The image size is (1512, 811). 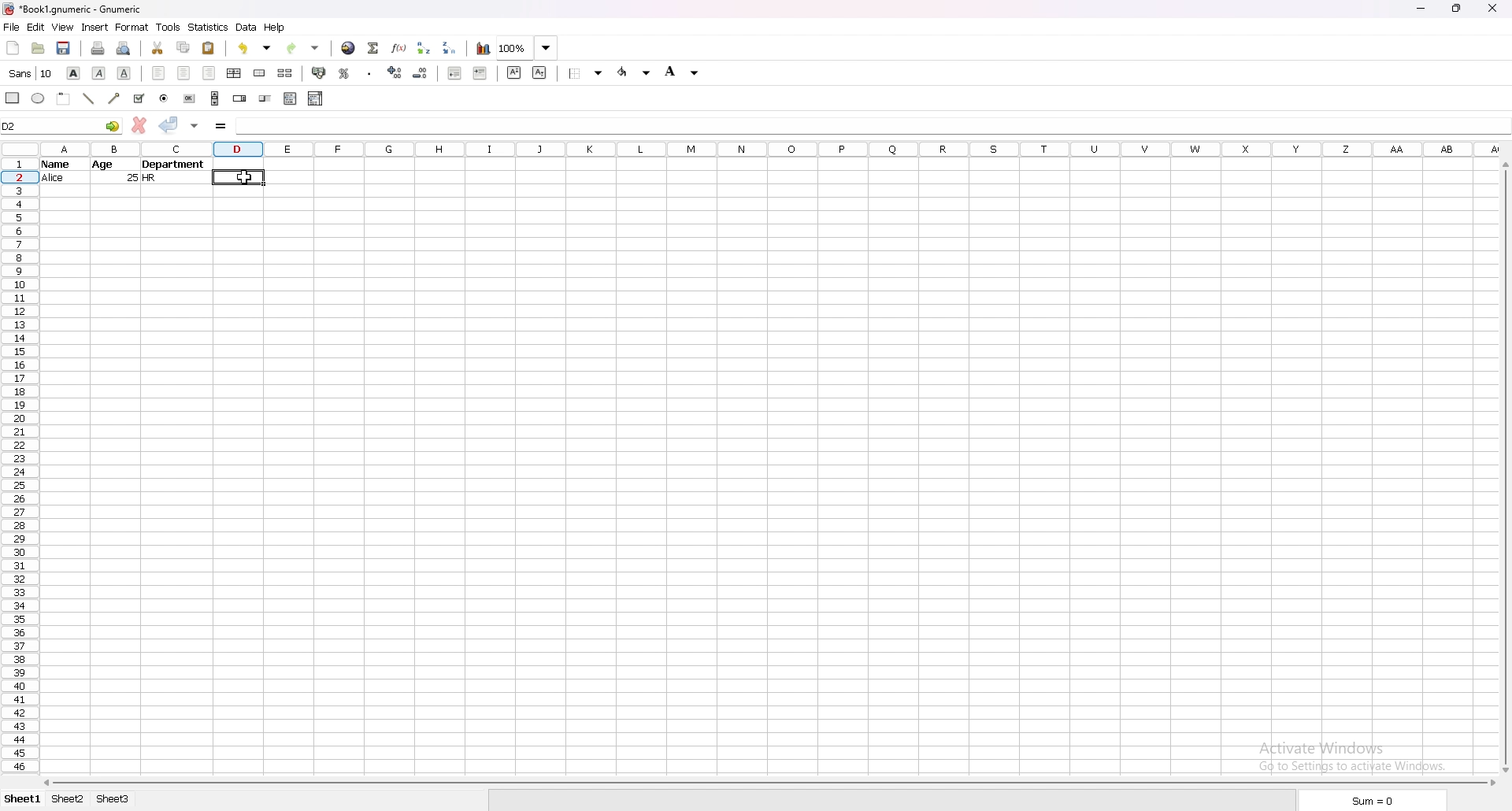 I want to click on statistics, so click(x=209, y=28).